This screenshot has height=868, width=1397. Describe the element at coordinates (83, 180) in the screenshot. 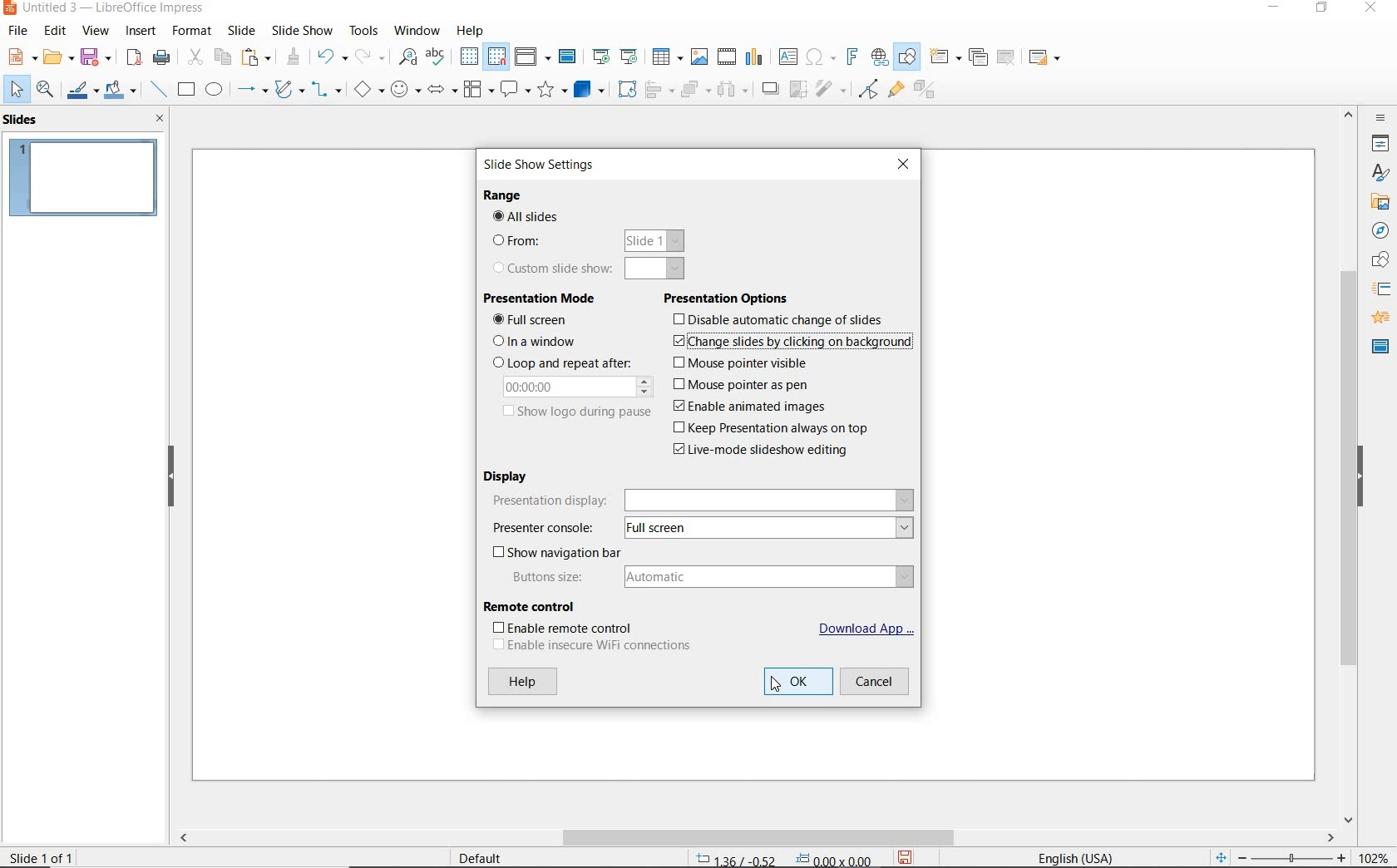

I see `SLIDE1` at that location.